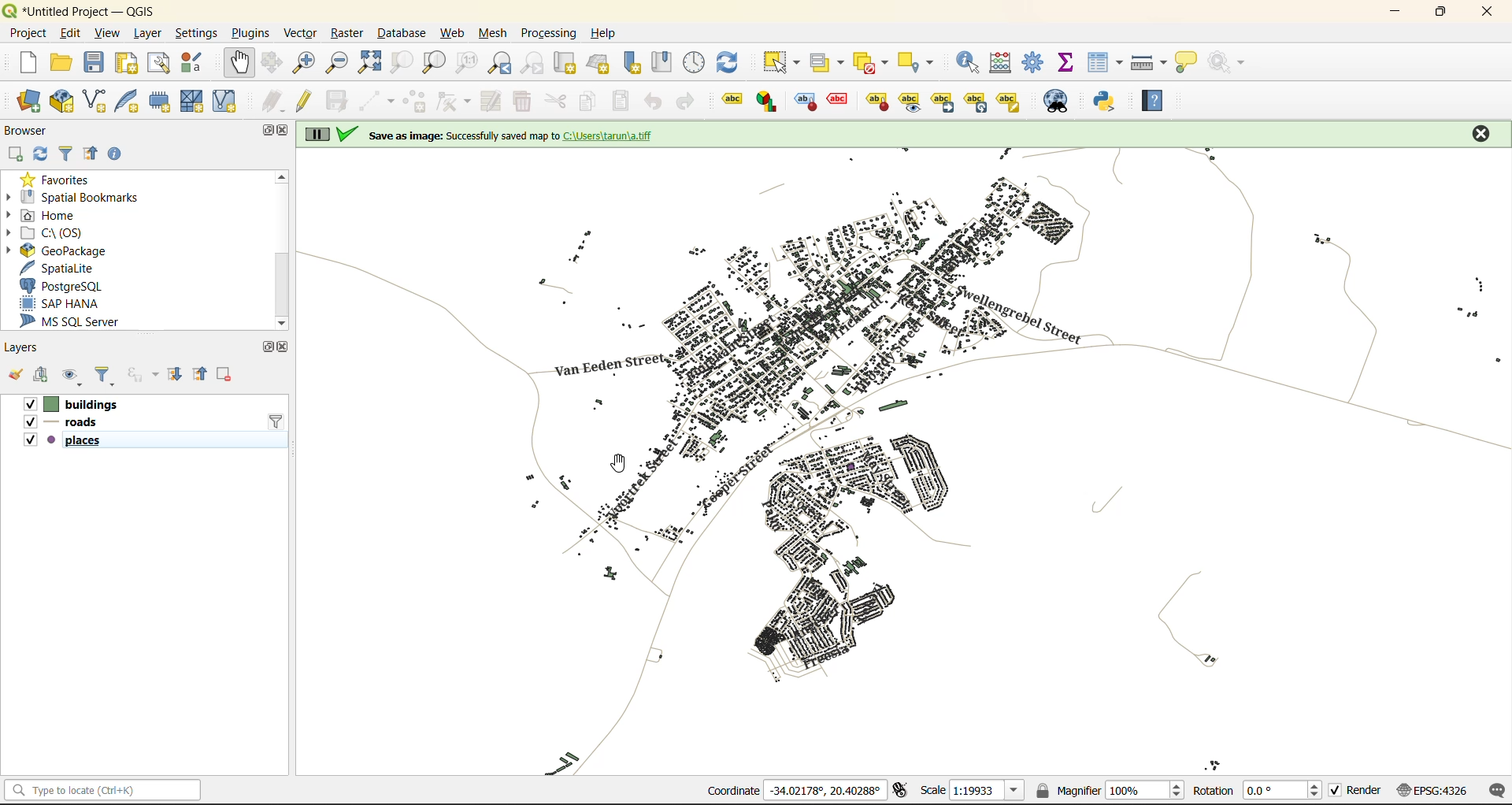 The height and width of the screenshot is (805, 1512). Describe the element at coordinates (195, 63) in the screenshot. I see `style manager` at that location.